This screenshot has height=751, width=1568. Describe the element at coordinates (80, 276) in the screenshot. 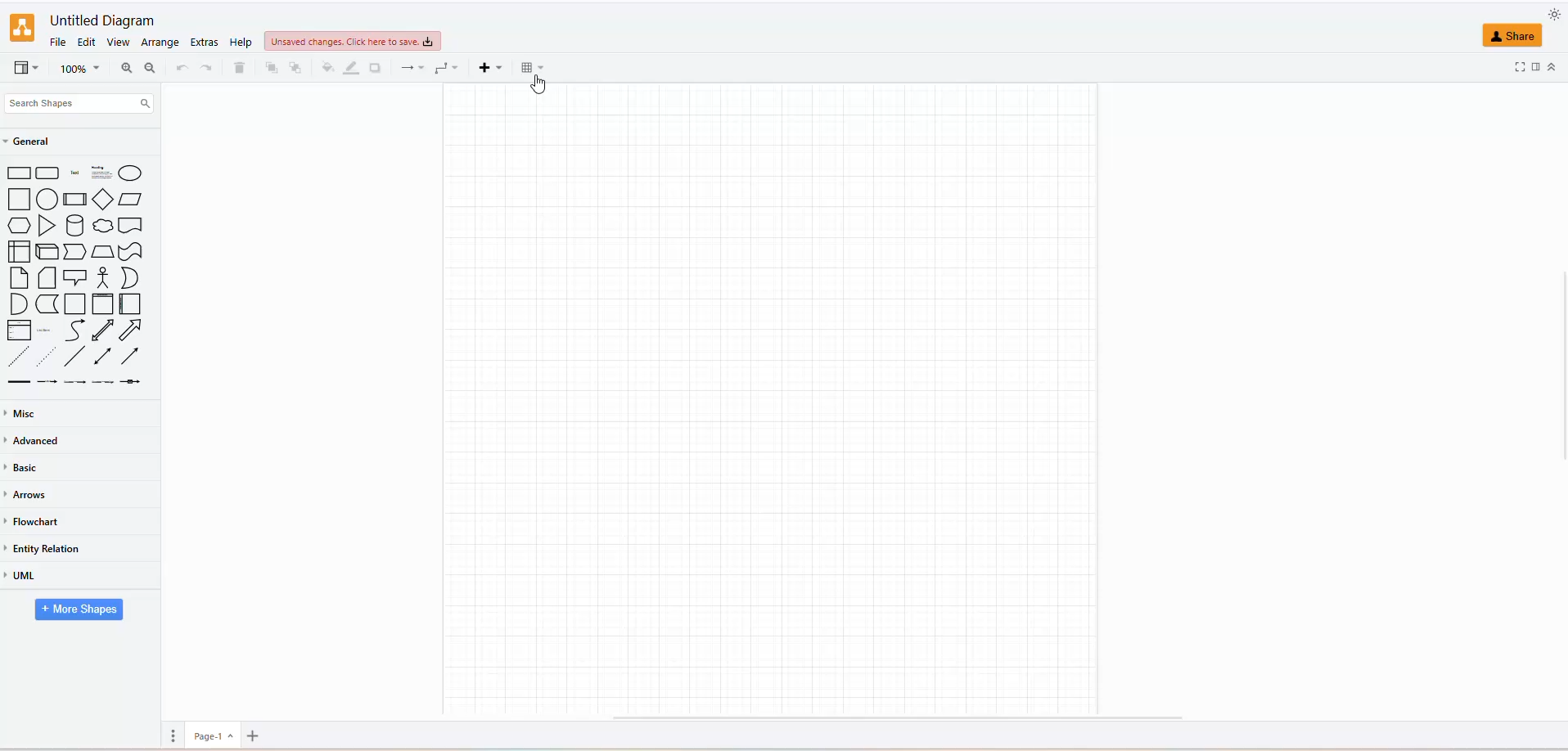

I see `shapes` at that location.